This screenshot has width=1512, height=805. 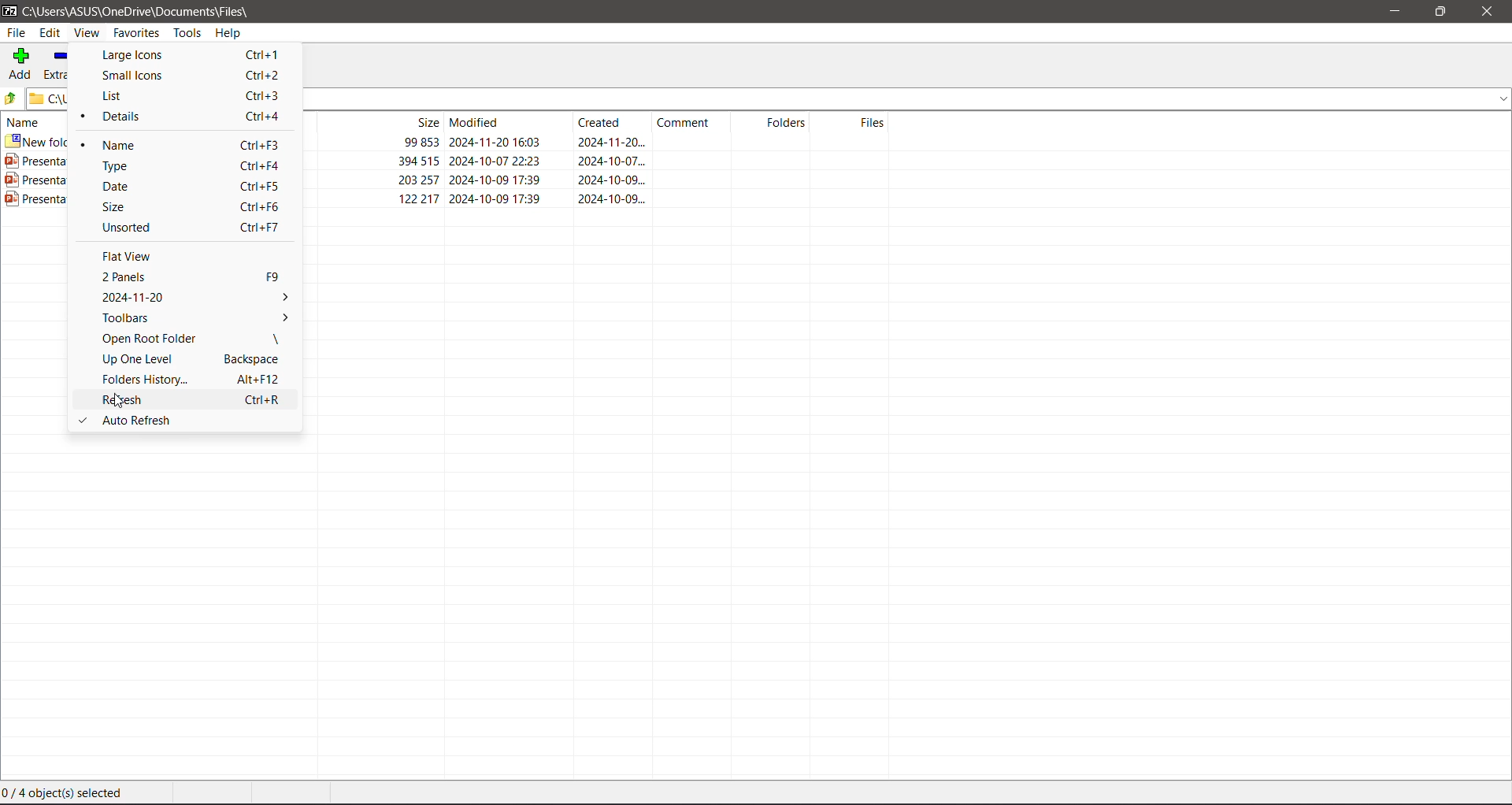 What do you see at coordinates (607, 121) in the screenshot?
I see `created` at bounding box center [607, 121].